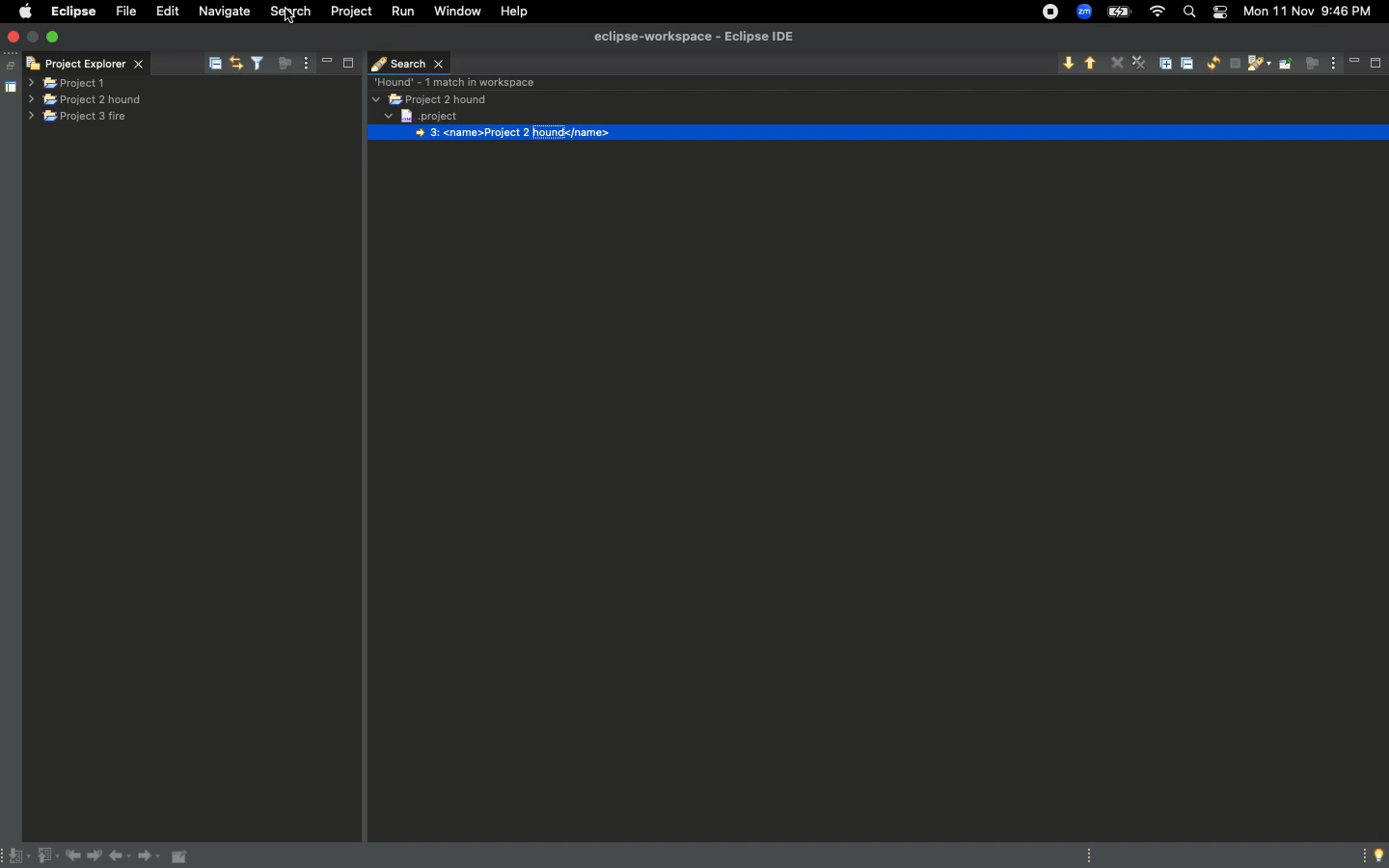 This screenshot has height=868, width=1389. Describe the element at coordinates (432, 99) in the screenshot. I see `Project 2 hound` at that location.